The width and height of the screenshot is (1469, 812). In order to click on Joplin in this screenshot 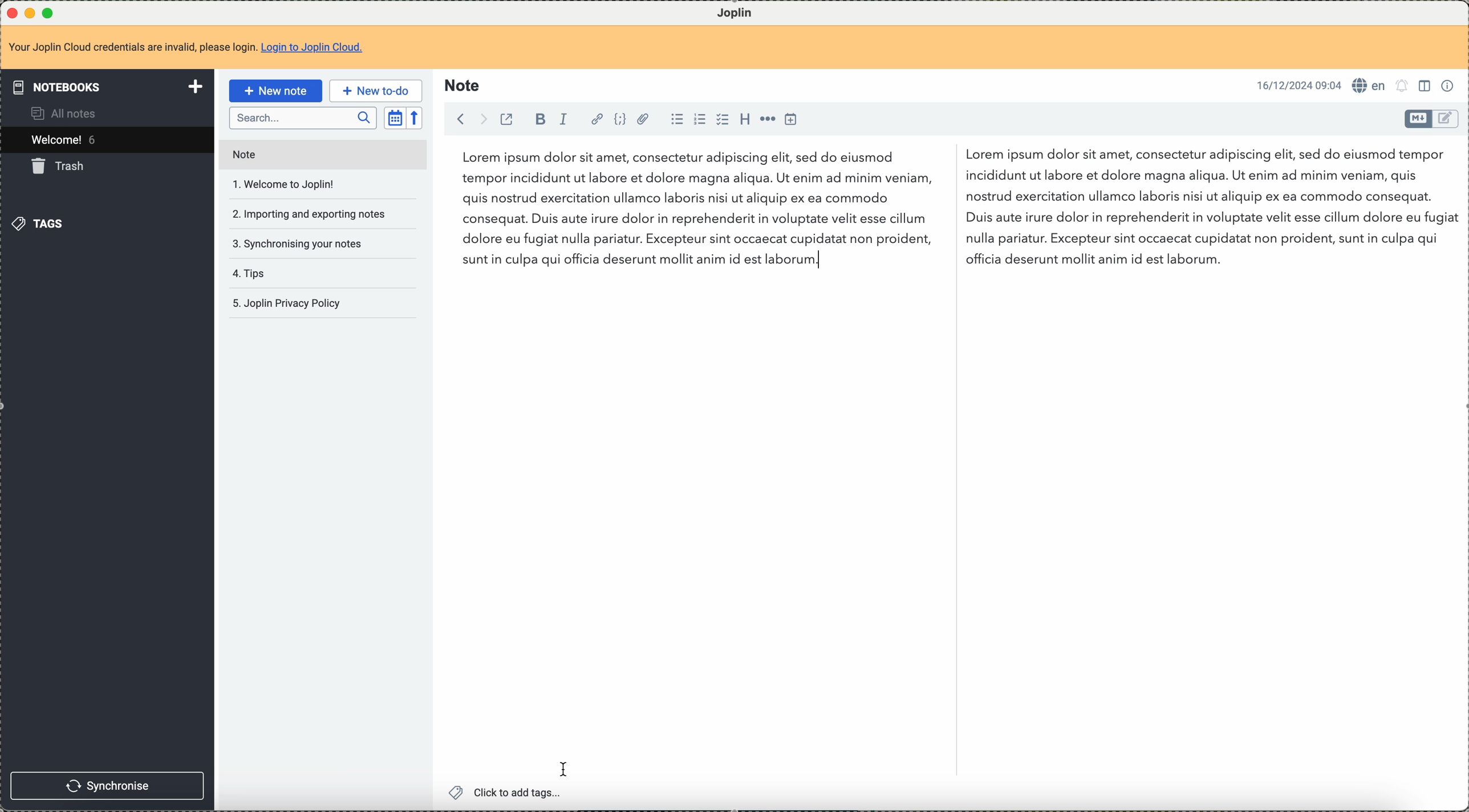, I will do `click(735, 13)`.